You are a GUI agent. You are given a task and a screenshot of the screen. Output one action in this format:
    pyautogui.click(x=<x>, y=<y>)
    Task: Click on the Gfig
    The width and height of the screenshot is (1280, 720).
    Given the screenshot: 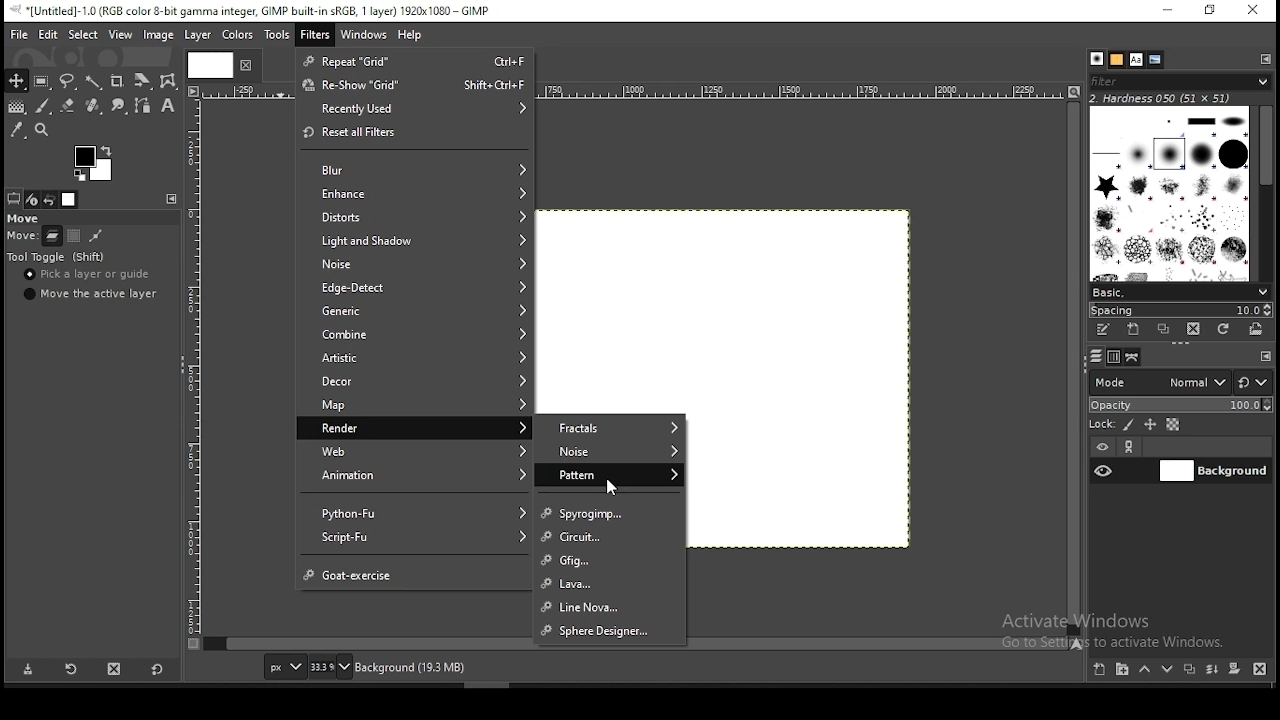 What is the action you would take?
    pyautogui.click(x=614, y=560)
    